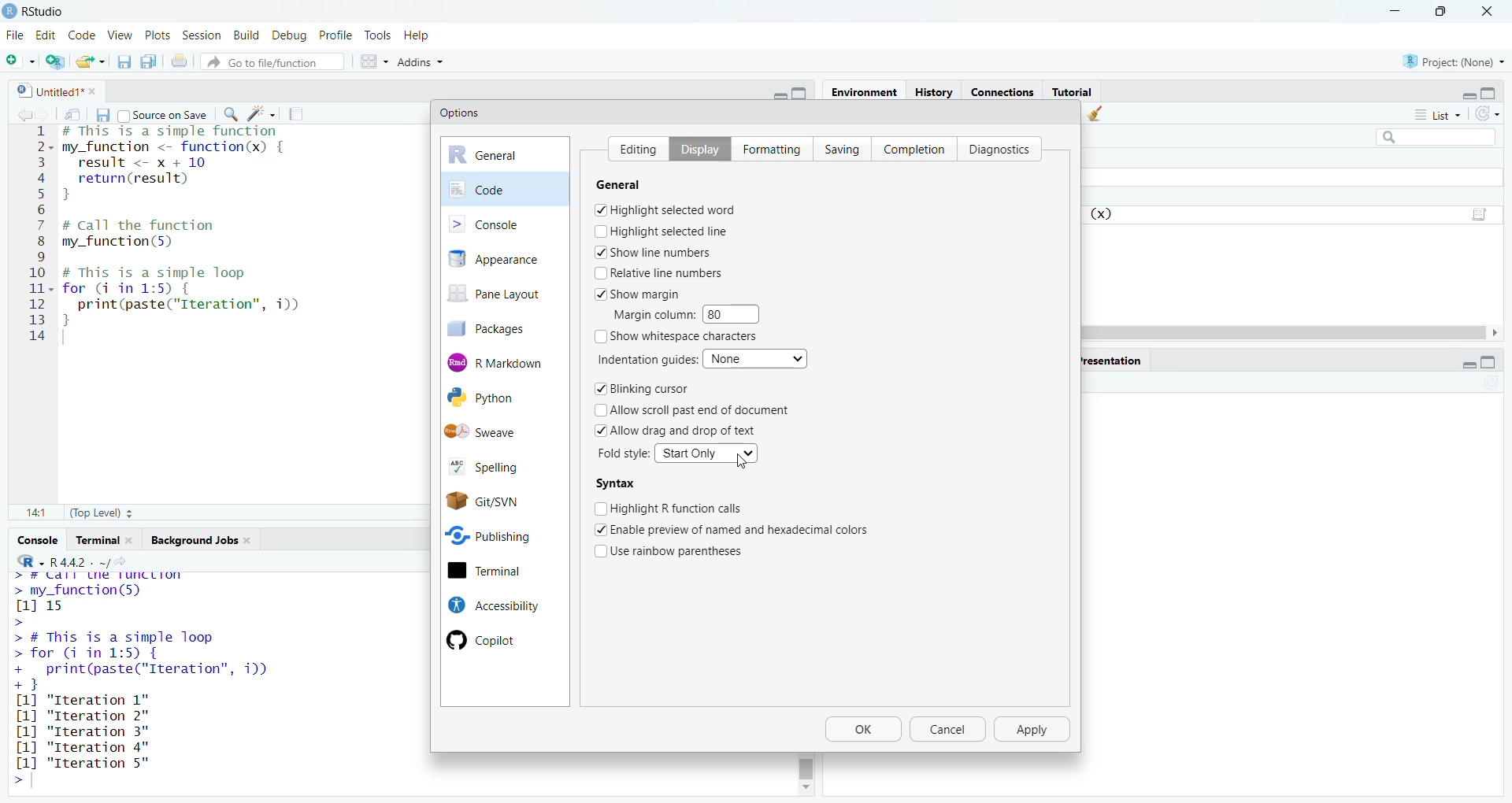  I want to click on code tools, so click(262, 113).